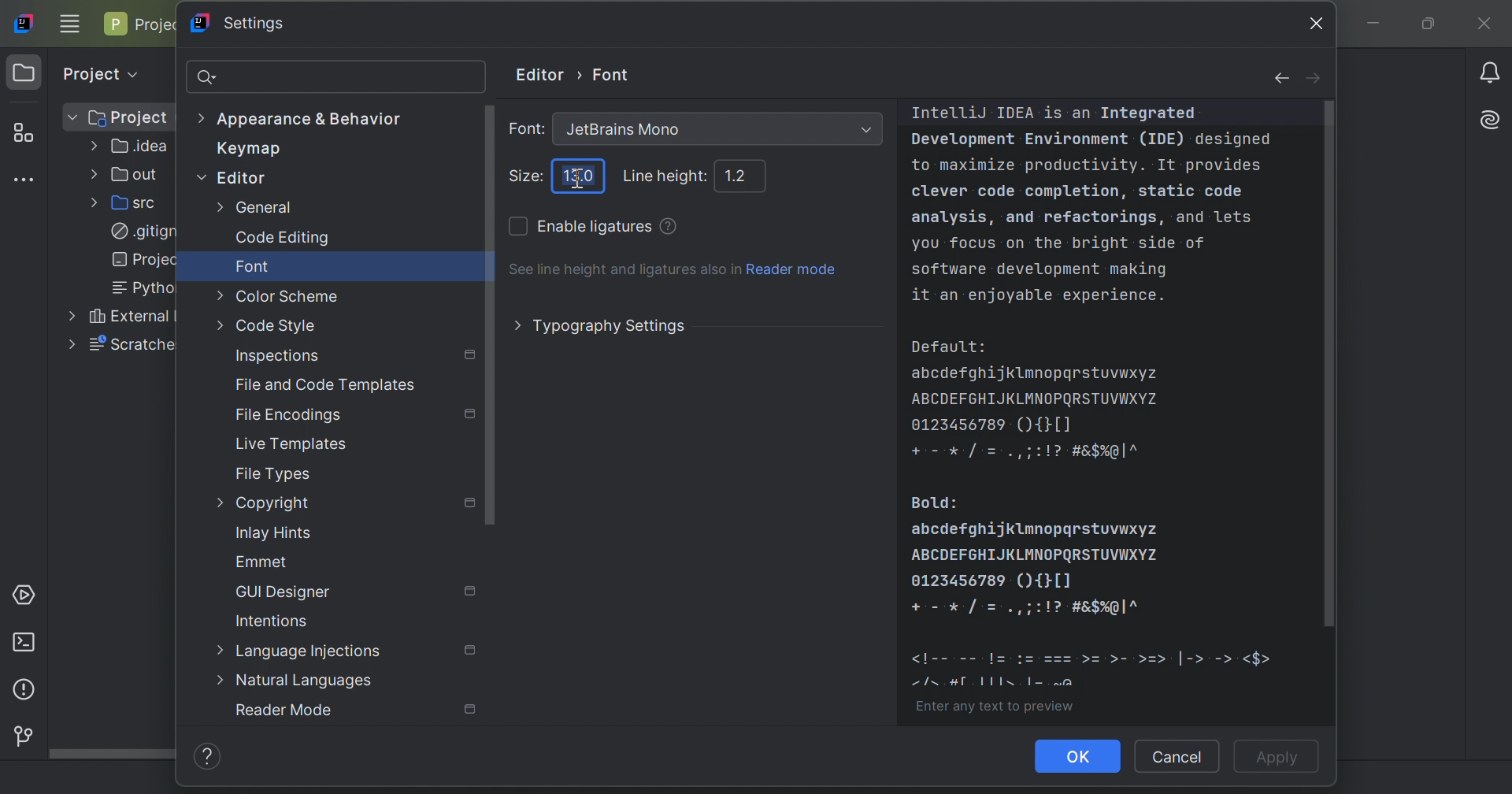 The width and height of the screenshot is (1512, 794). I want to click on Size, so click(525, 176).